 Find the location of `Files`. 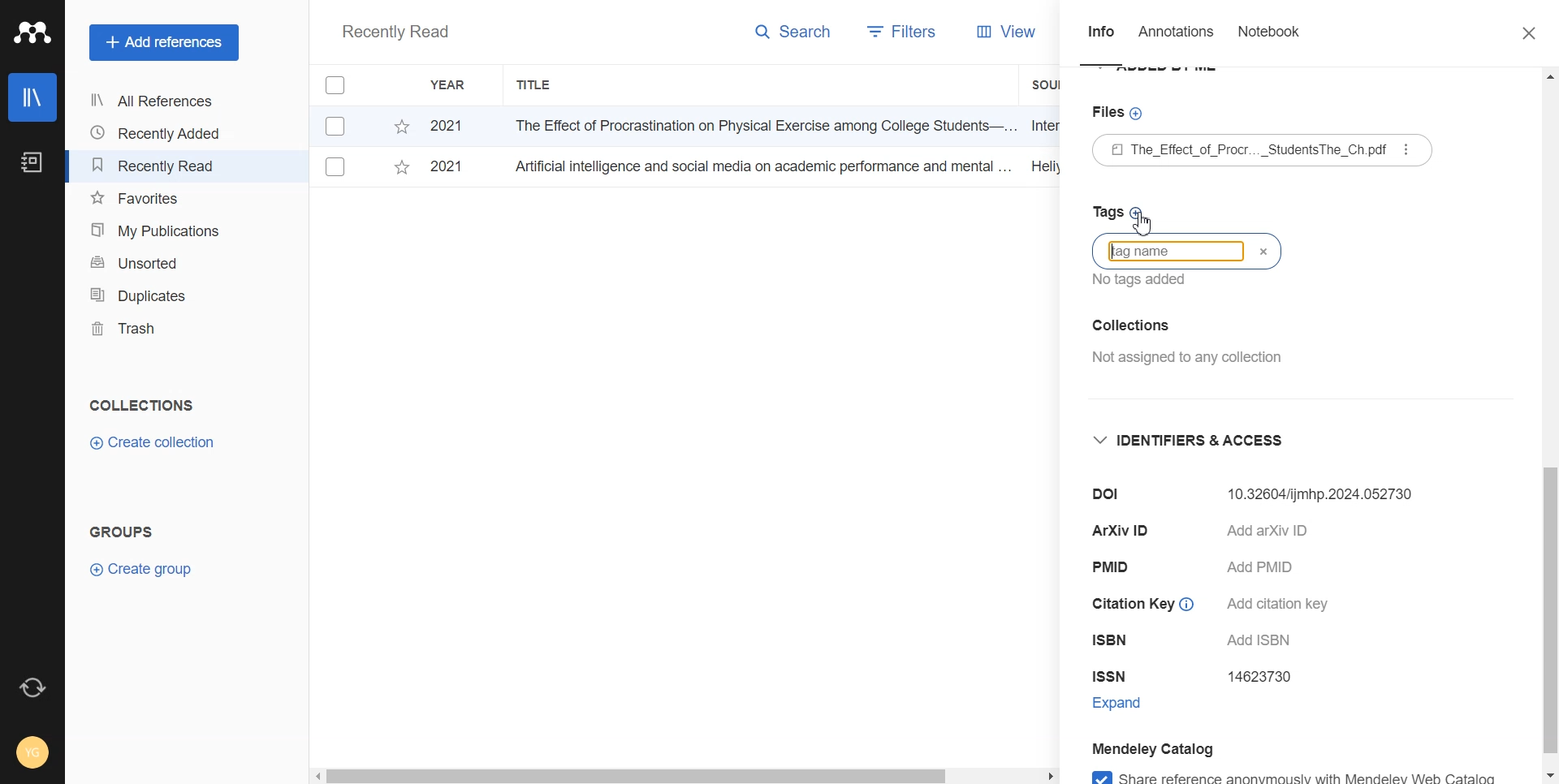

Files is located at coordinates (1114, 113).